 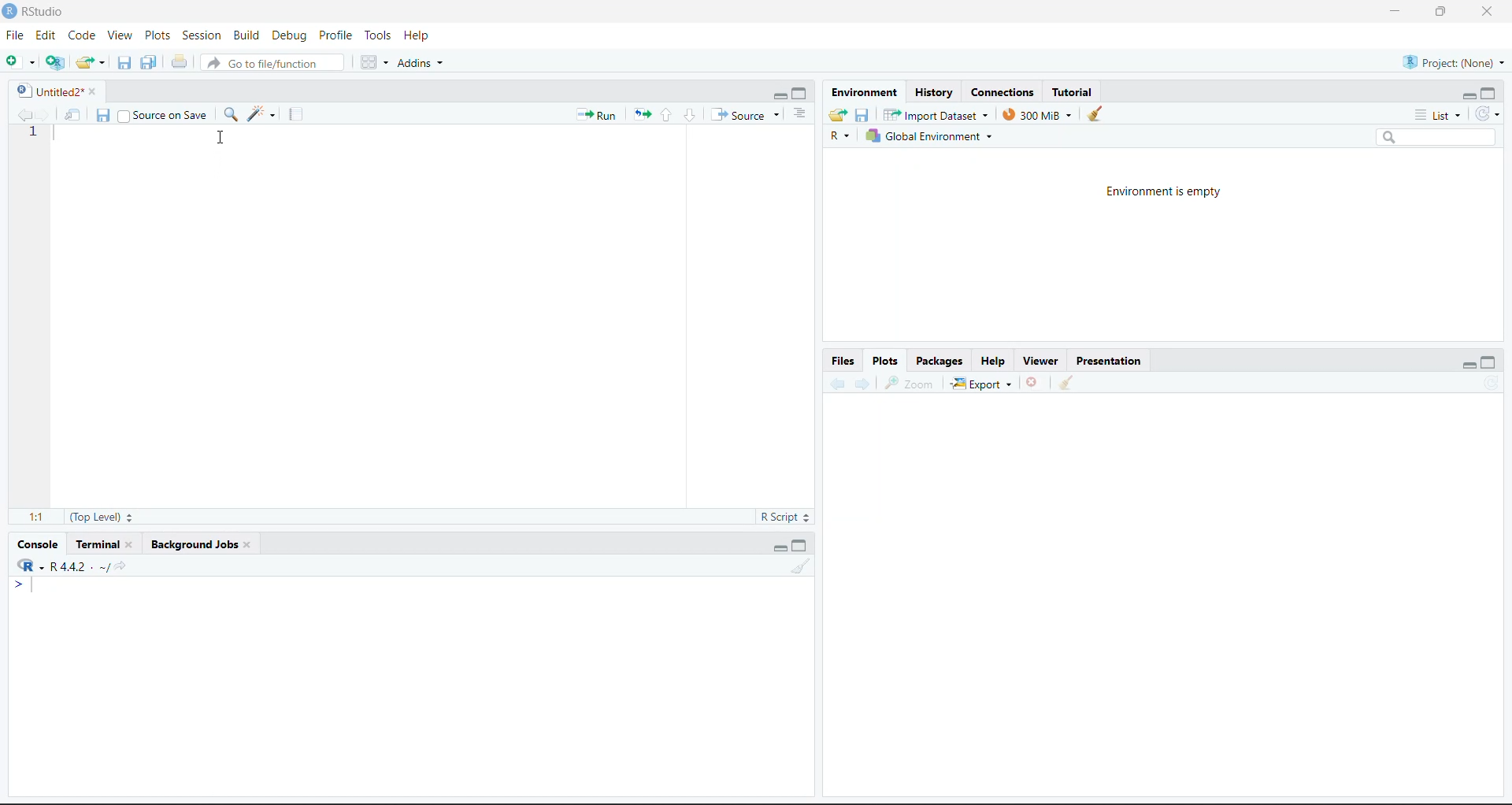 I want to click on hide r script, so click(x=1469, y=362).